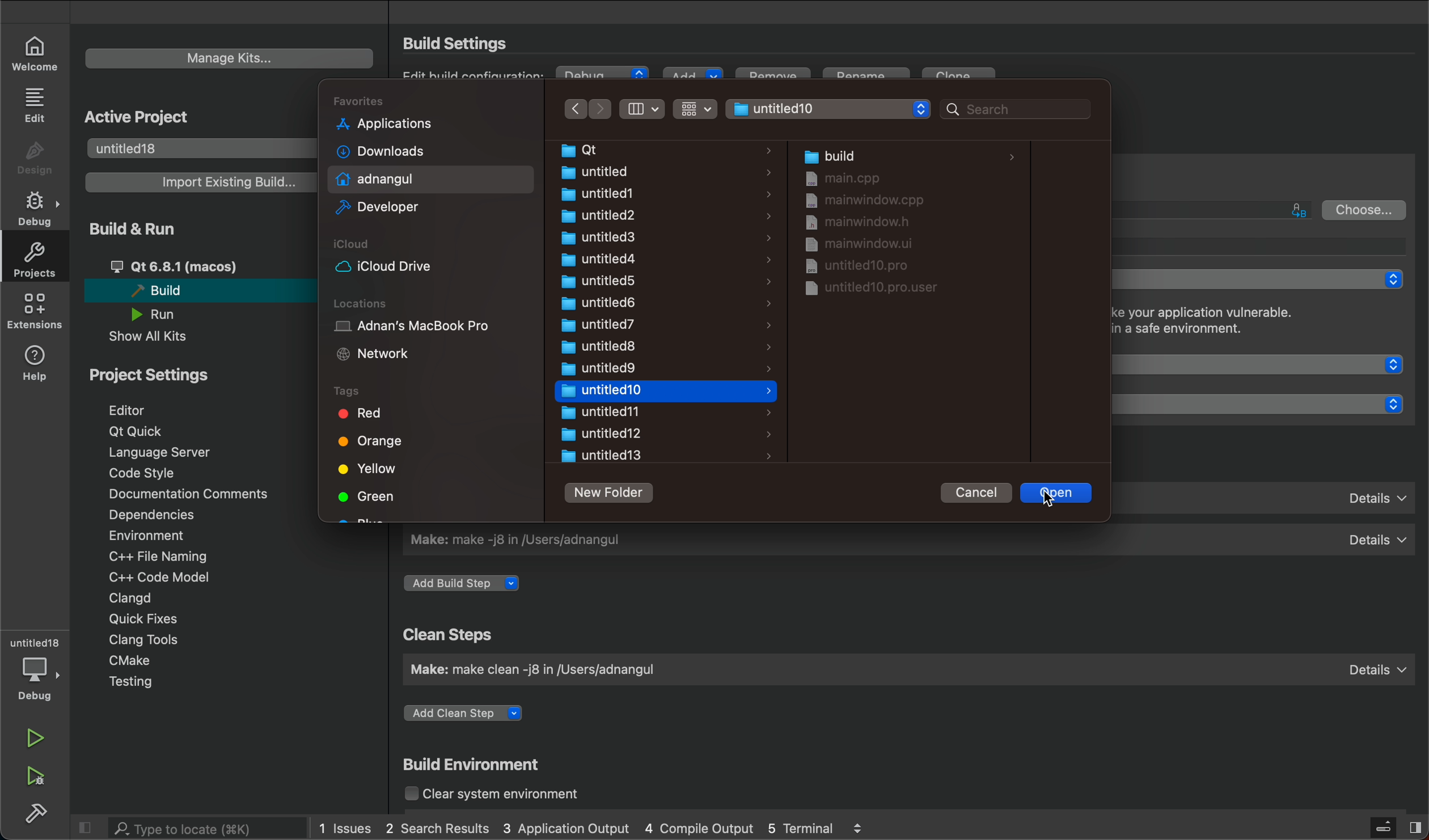 Image resolution: width=1429 pixels, height=840 pixels. I want to click on untitled6, so click(650, 303).